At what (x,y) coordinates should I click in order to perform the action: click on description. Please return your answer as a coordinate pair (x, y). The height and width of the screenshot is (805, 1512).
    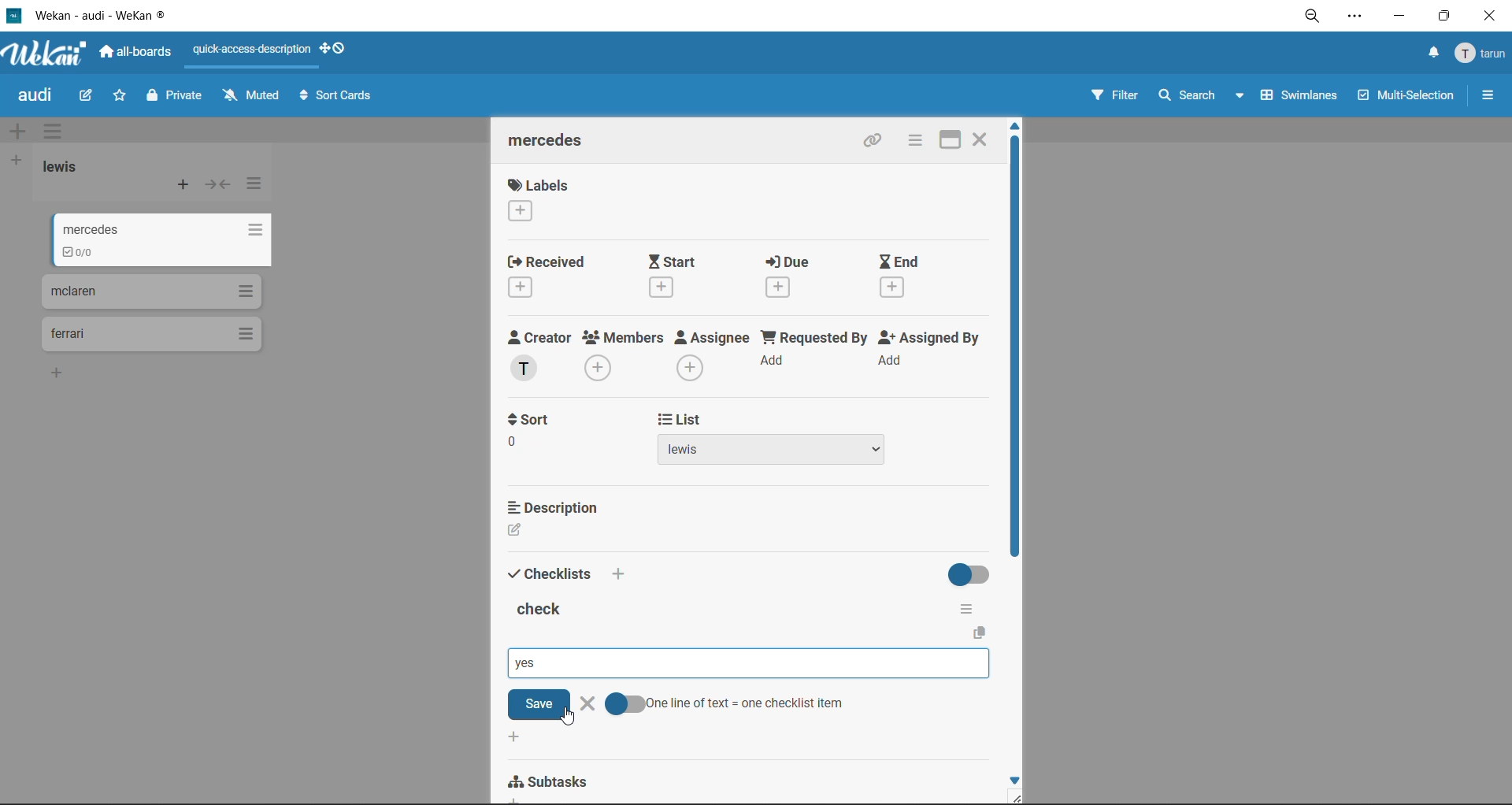
    Looking at the image, I should click on (557, 531).